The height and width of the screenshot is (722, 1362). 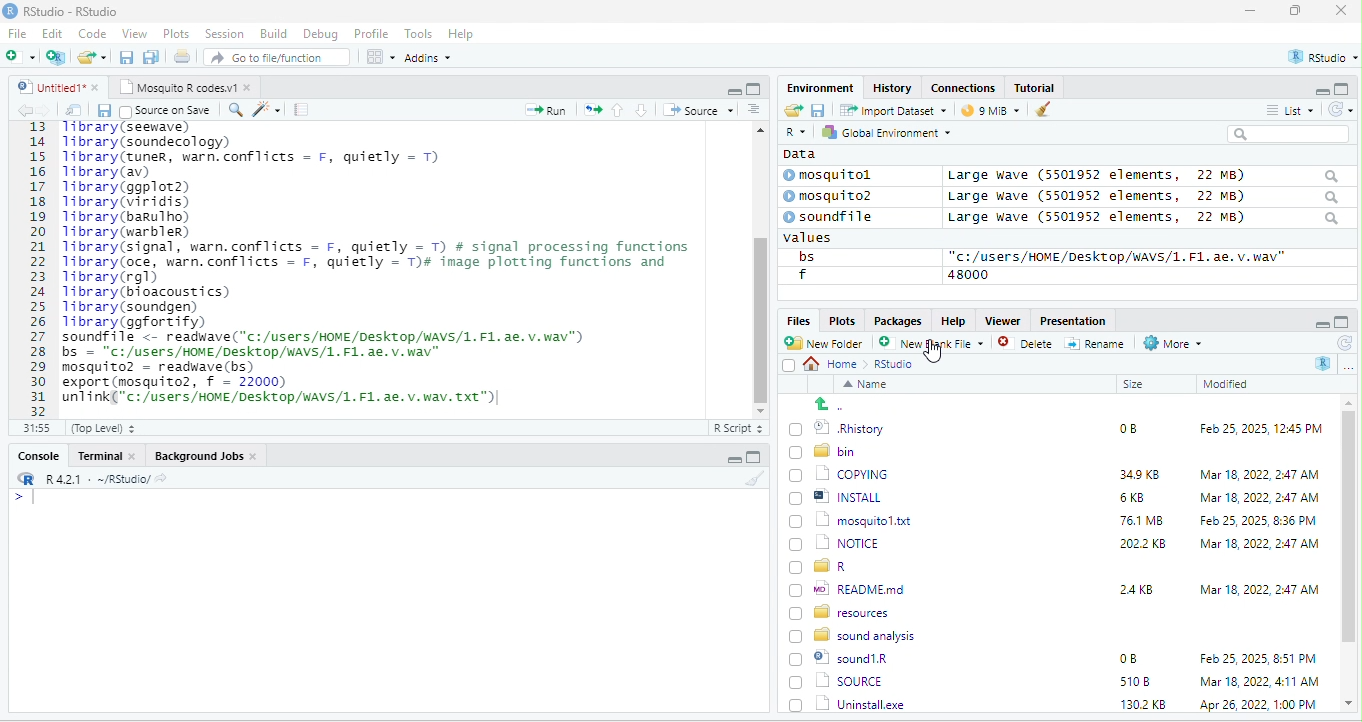 What do you see at coordinates (320, 33) in the screenshot?
I see `Debug` at bounding box center [320, 33].